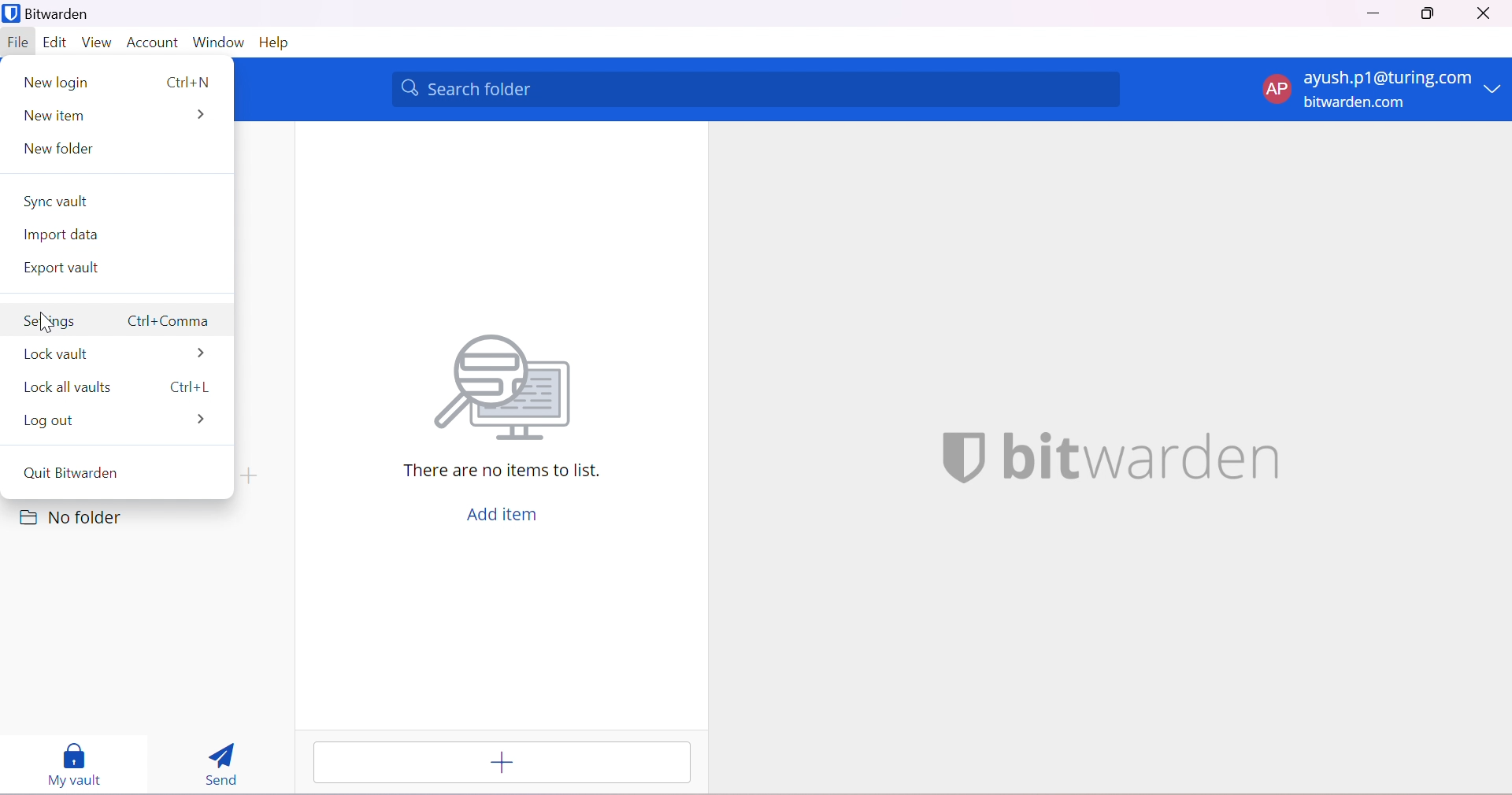 Image resolution: width=1512 pixels, height=795 pixels. I want to click on Local vaults, so click(65, 386).